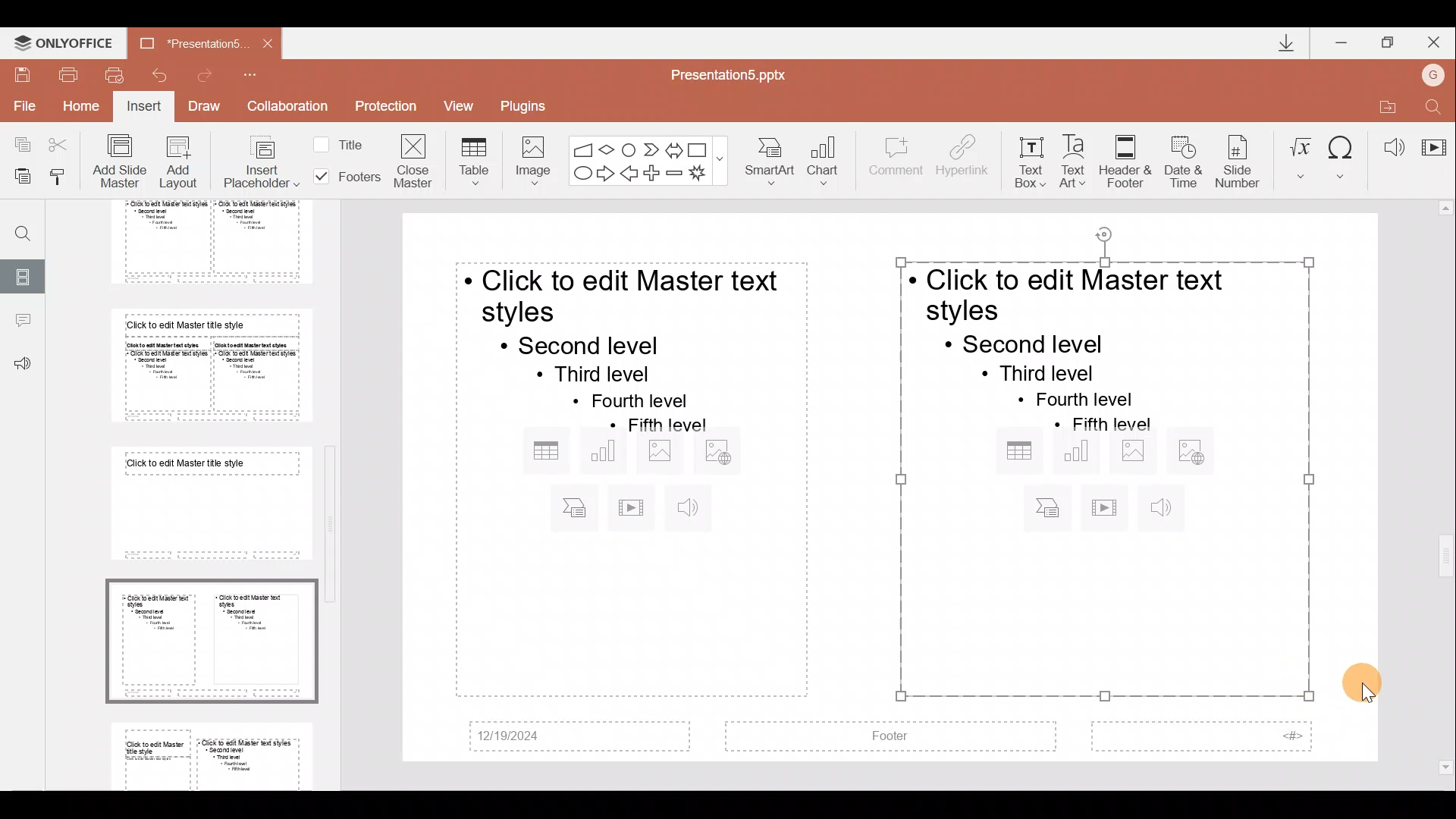 The height and width of the screenshot is (819, 1456). Describe the element at coordinates (211, 75) in the screenshot. I see `Redo` at that location.